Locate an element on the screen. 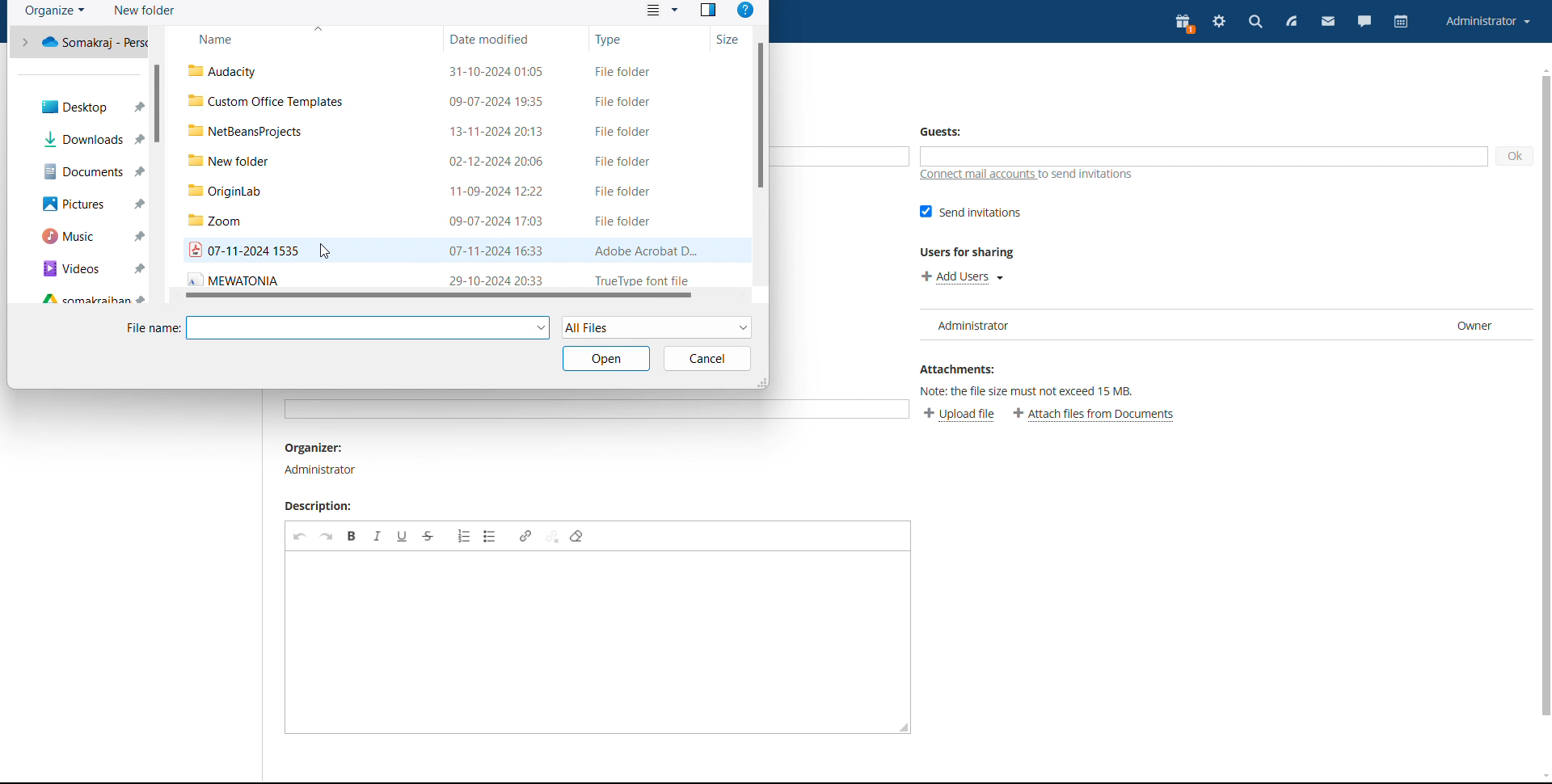 The image size is (1552, 784). scroll down is located at coordinates (1542, 778).